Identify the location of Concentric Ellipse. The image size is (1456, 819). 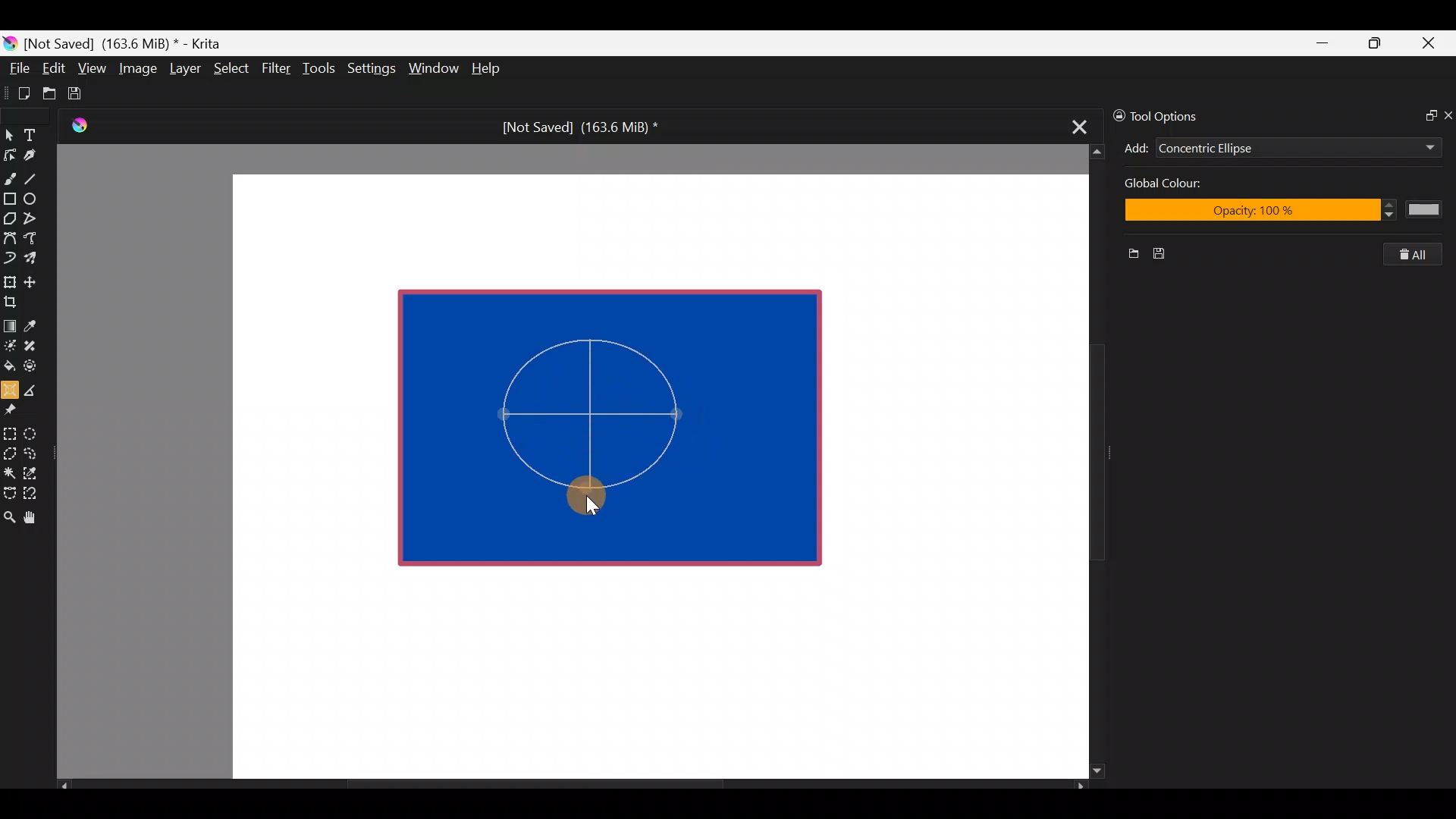
(1253, 149).